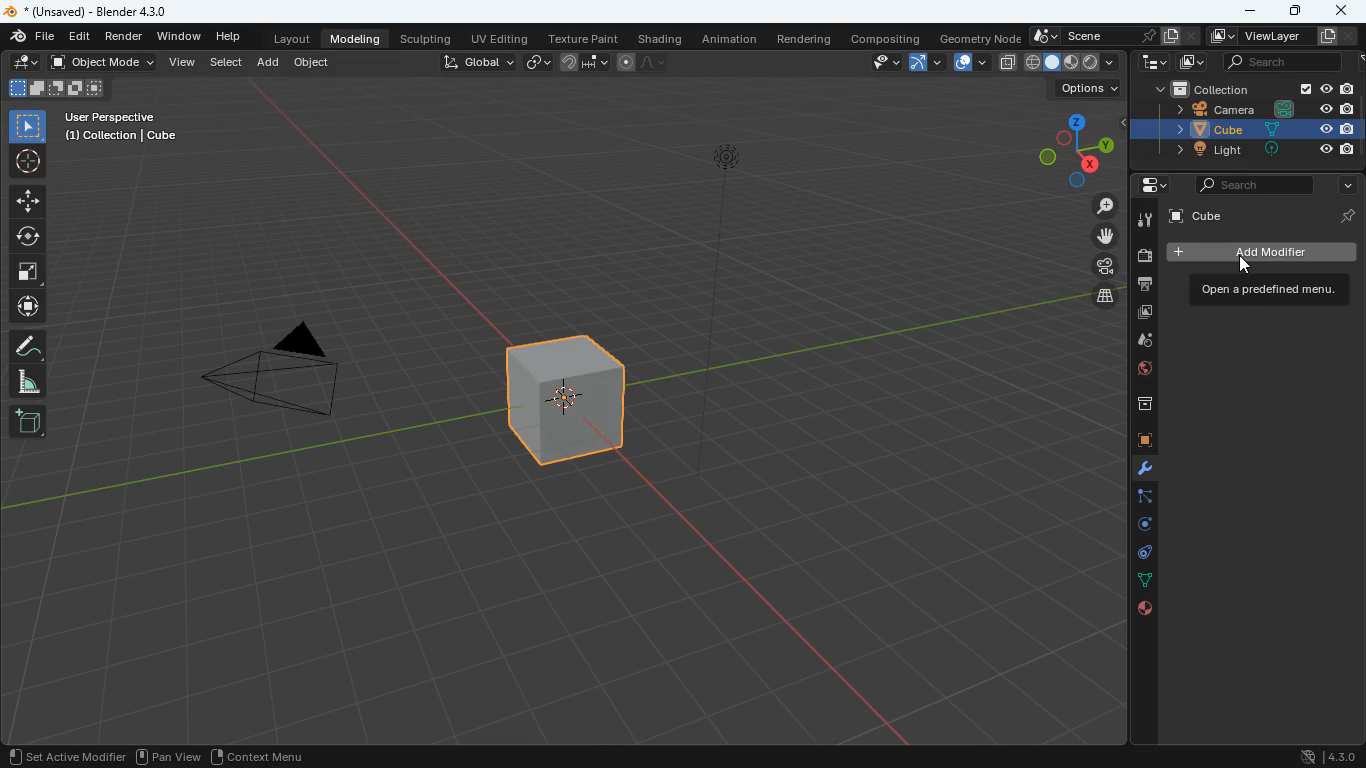 Image resolution: width=1366 pixels, height=768 pixels. What do you see at coordinates (809, 41) in the screenshot?
I see `rendering` at bounding box center [809, 41].